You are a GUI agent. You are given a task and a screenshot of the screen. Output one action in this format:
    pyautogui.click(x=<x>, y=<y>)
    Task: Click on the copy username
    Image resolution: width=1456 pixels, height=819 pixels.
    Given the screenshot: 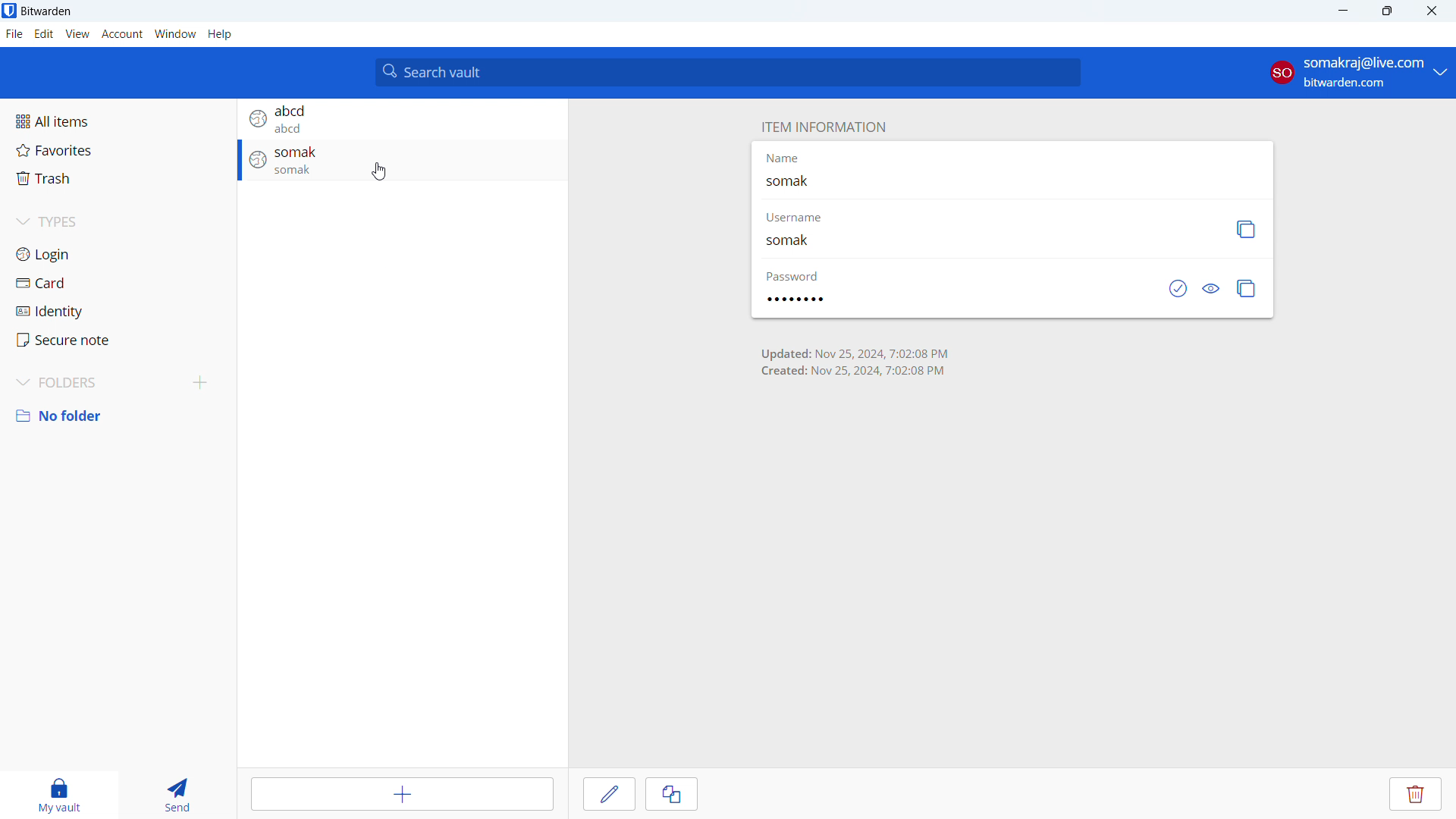 What is the action you would take?
    pyautogui.click(x=1247, y=230)
    